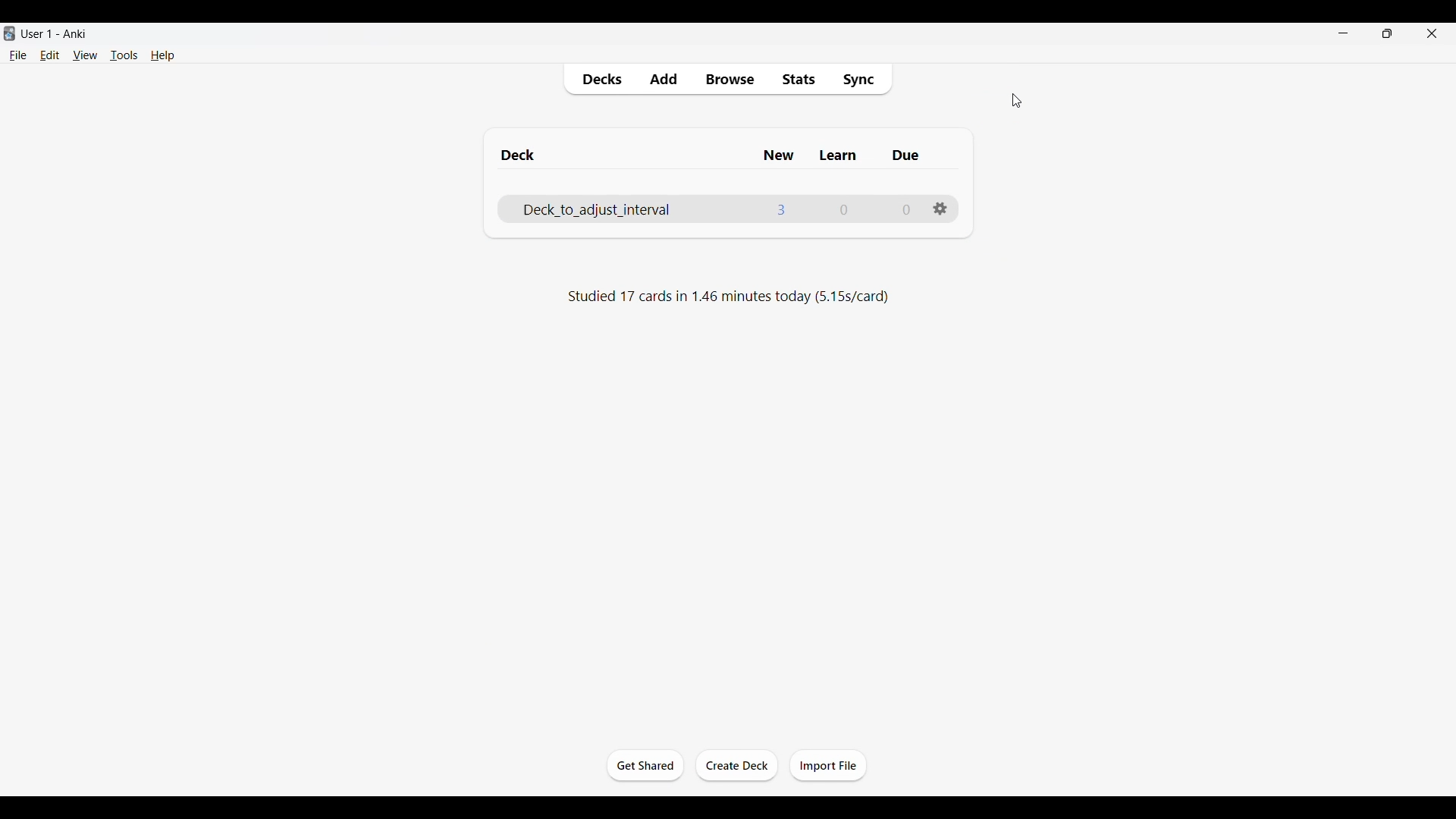 The height and width of the screenshot is (819, 1456). I want to click on View menu, so click(85, 55).